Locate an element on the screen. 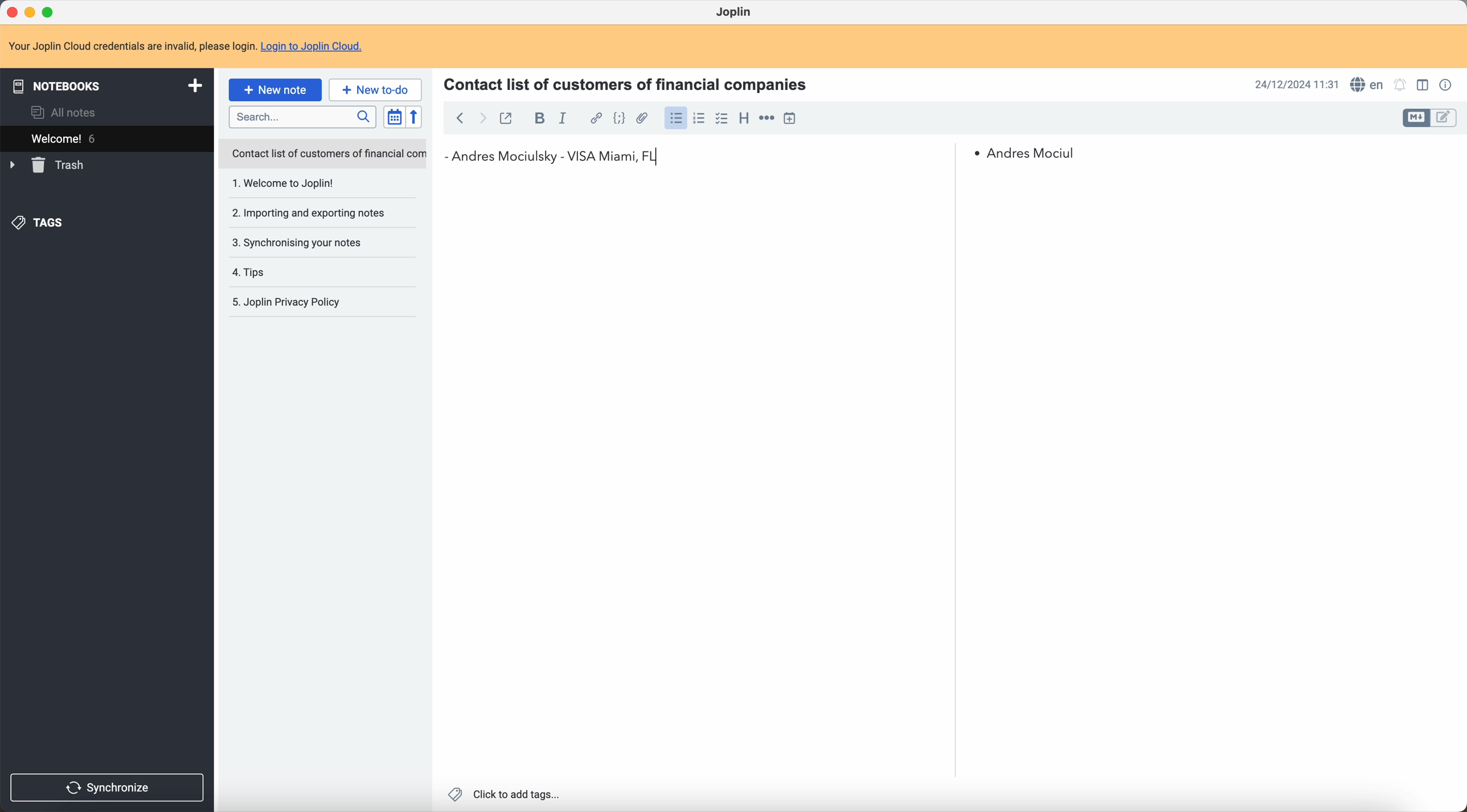 The image size is (1467, 812). code is located at coordinates (619, 119).